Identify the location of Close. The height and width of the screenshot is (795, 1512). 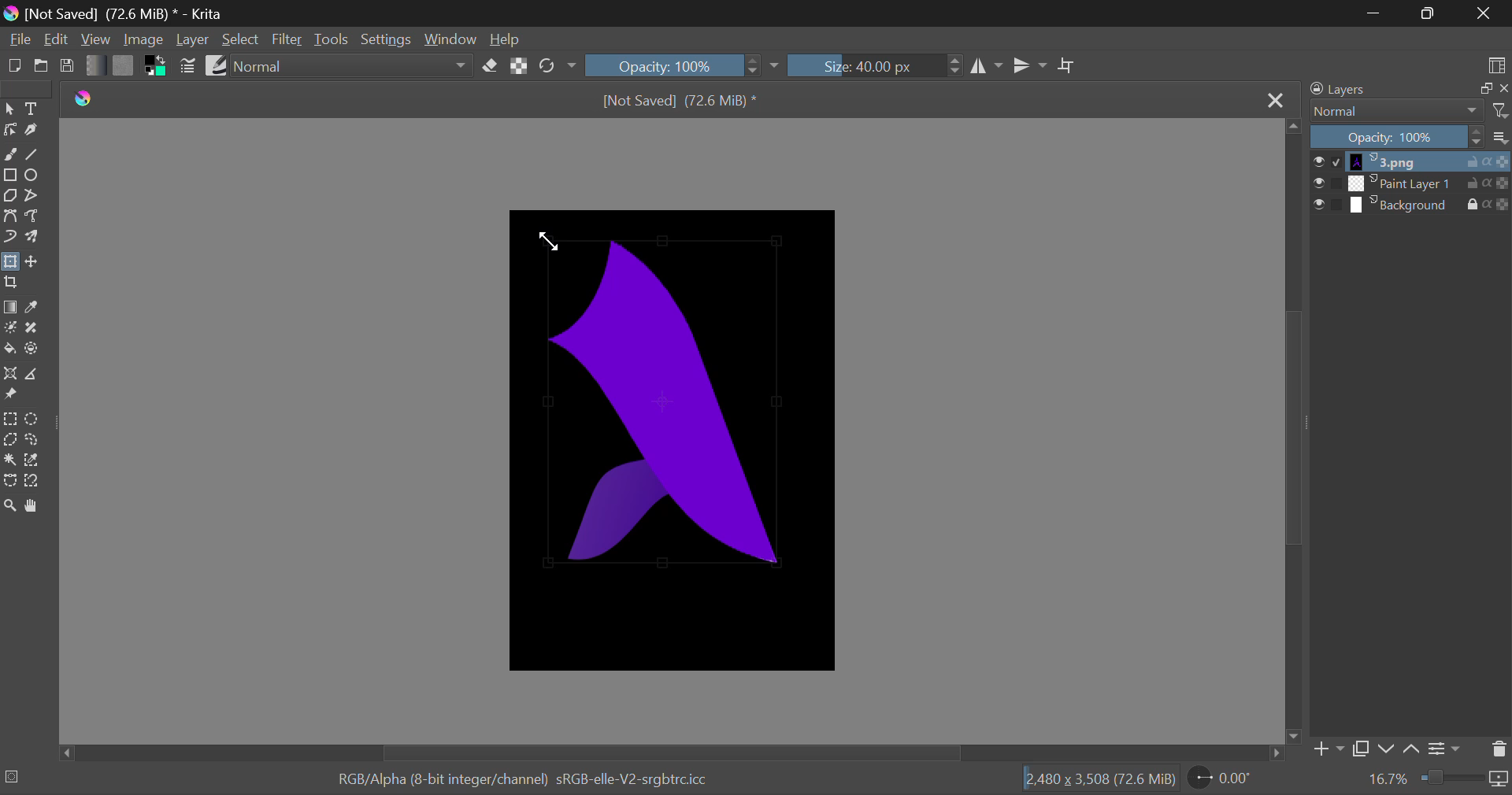
(1484, 13).